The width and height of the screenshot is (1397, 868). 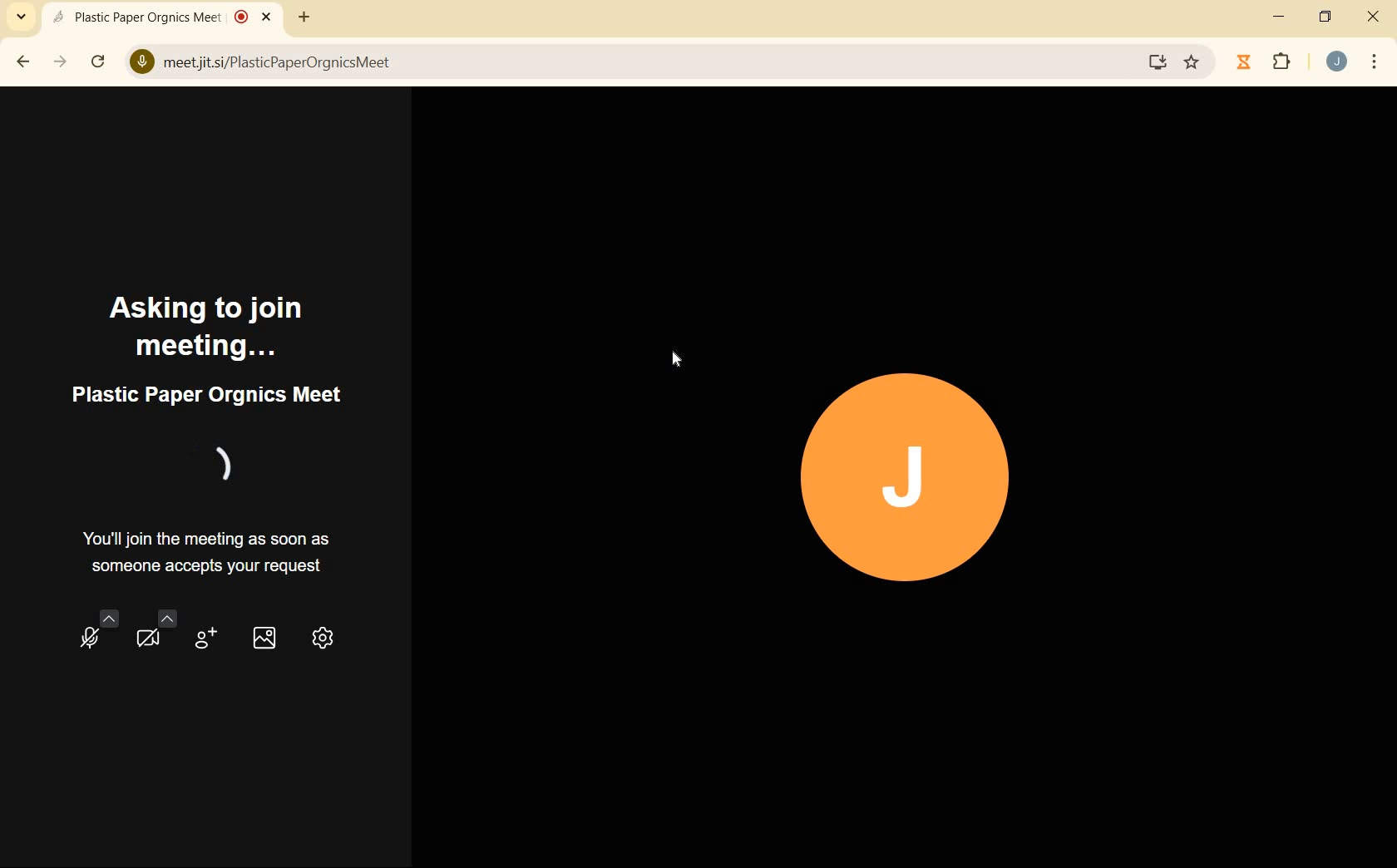 What do you see at coordinates (1374, 19) in the screenshot?
I see `close` at bounding box center [1374, 19].